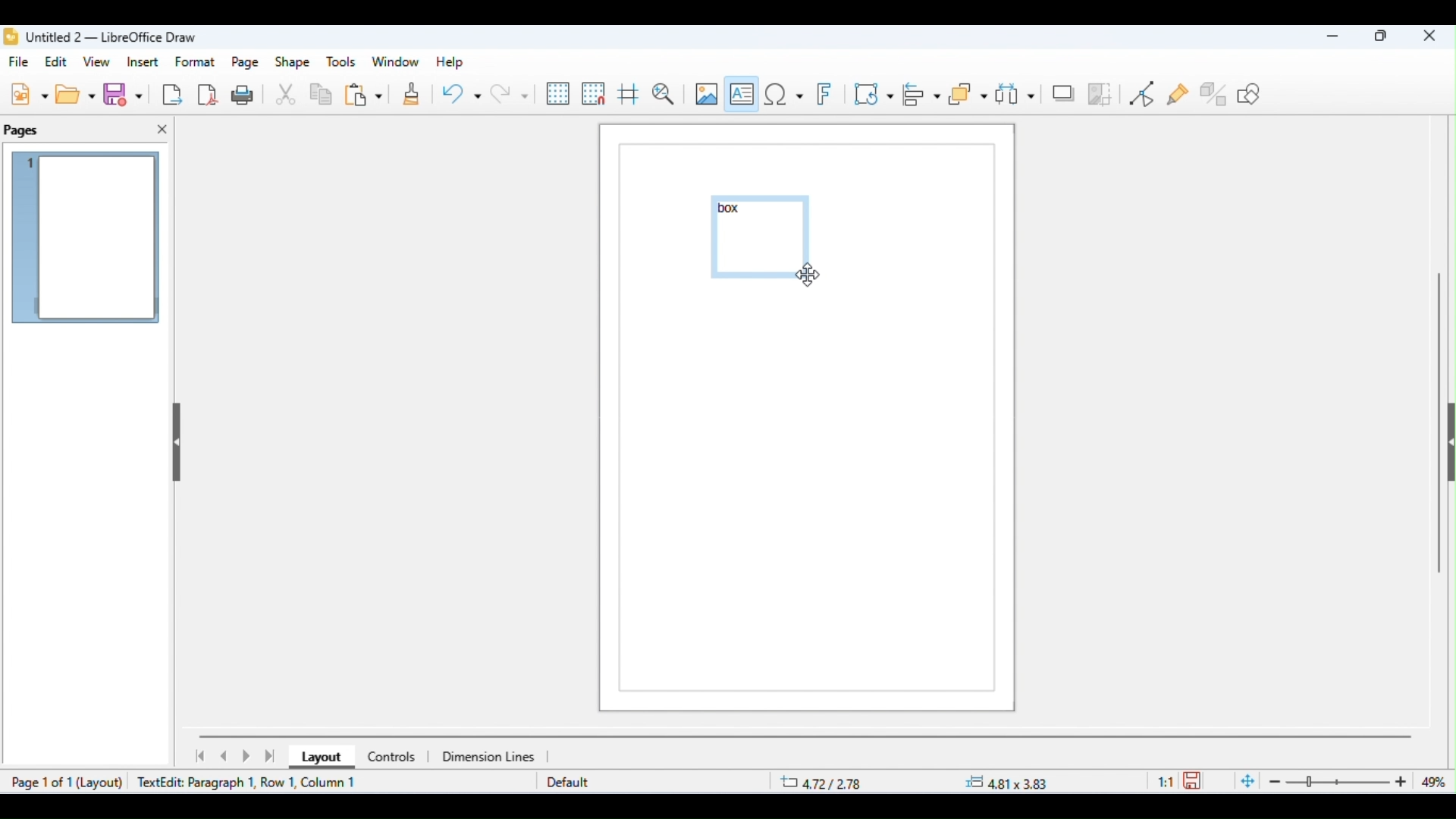 The height and width of the screenshot is (819, 1456). Describe the element at coordinates (807, 275) in the screenshot. I see `cursor` at that location.